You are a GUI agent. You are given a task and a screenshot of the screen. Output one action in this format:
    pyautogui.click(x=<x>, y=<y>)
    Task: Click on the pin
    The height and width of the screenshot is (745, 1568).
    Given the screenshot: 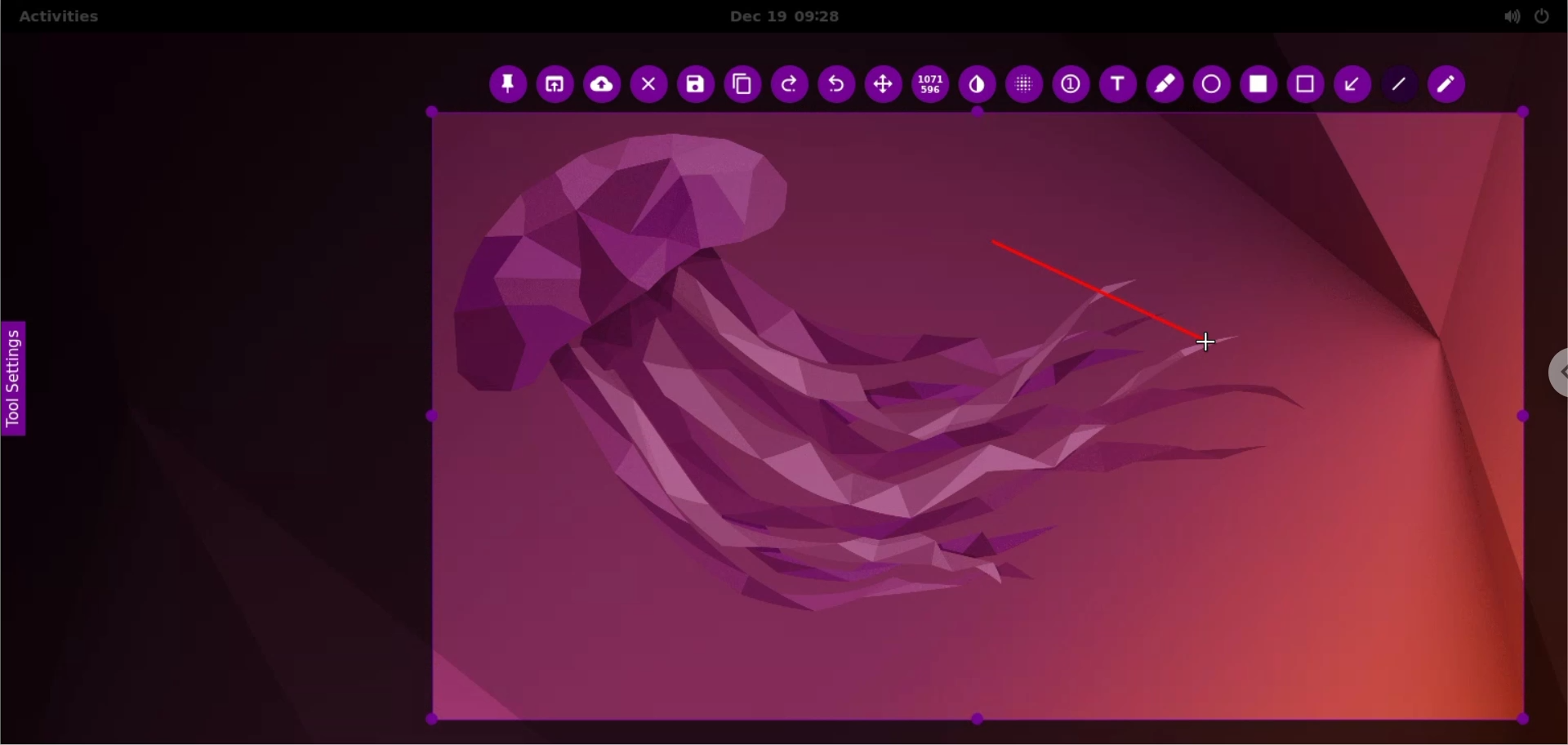 What is the action you would take?
    pyautogui.click(x=509, y=86)
    